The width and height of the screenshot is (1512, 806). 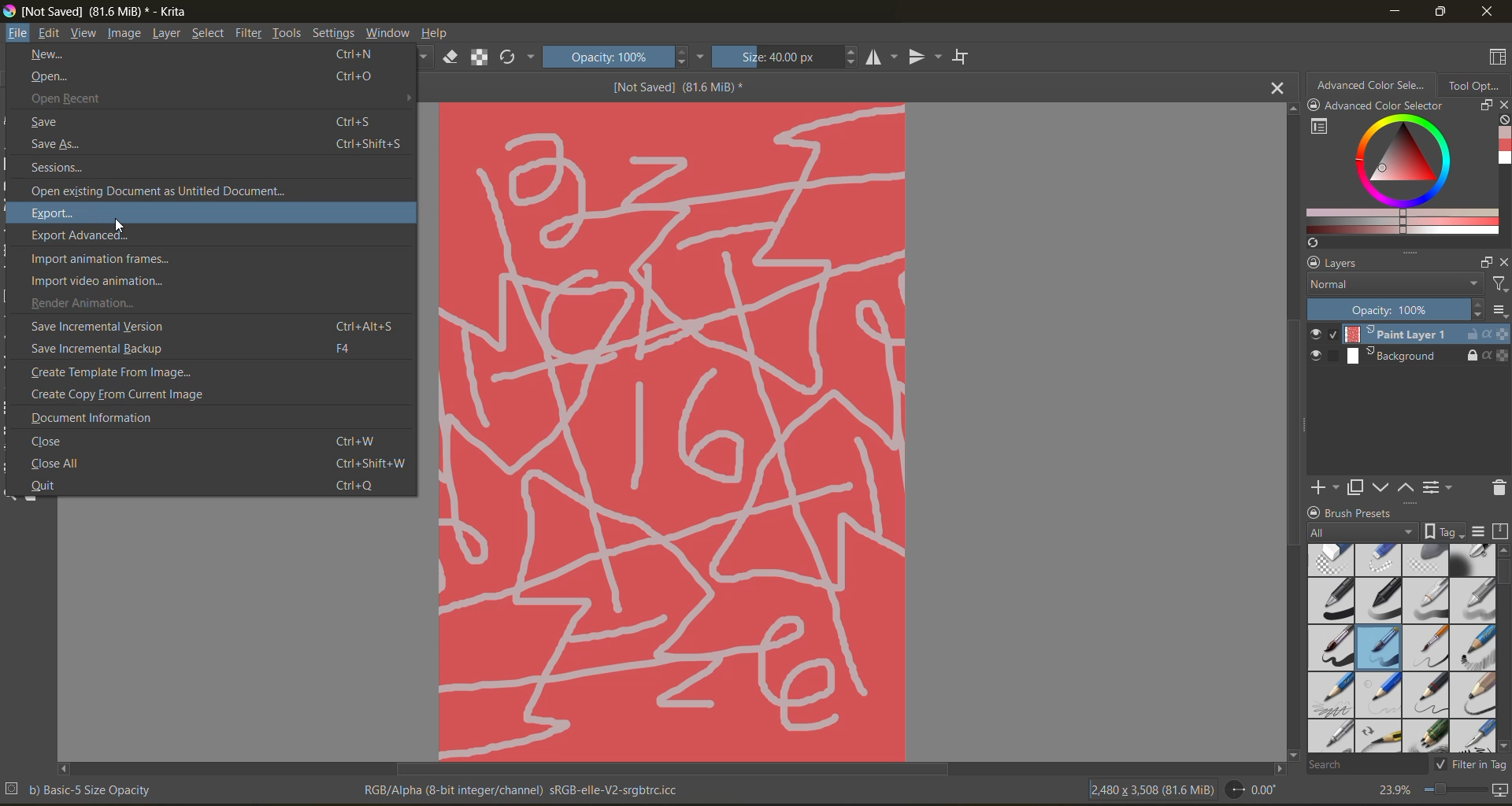 What do you see at coordinates (208, 77) in the screenshot?
I see `open` at bounding box center [208, 77].